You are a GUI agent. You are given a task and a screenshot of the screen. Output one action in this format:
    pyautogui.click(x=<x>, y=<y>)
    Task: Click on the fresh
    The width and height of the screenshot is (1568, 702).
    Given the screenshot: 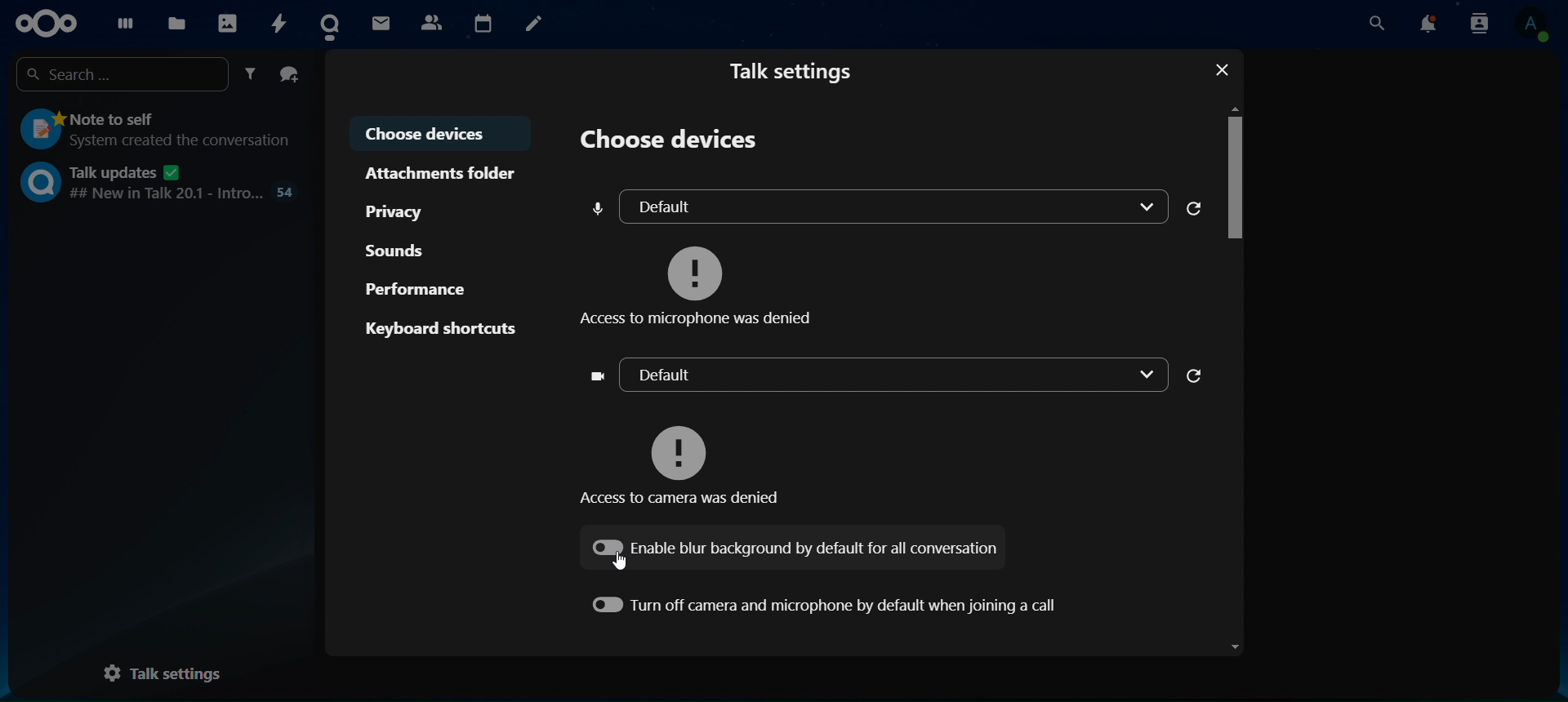 What is the action you would take?
    pyautogui.click(x=1194, y=376)
    